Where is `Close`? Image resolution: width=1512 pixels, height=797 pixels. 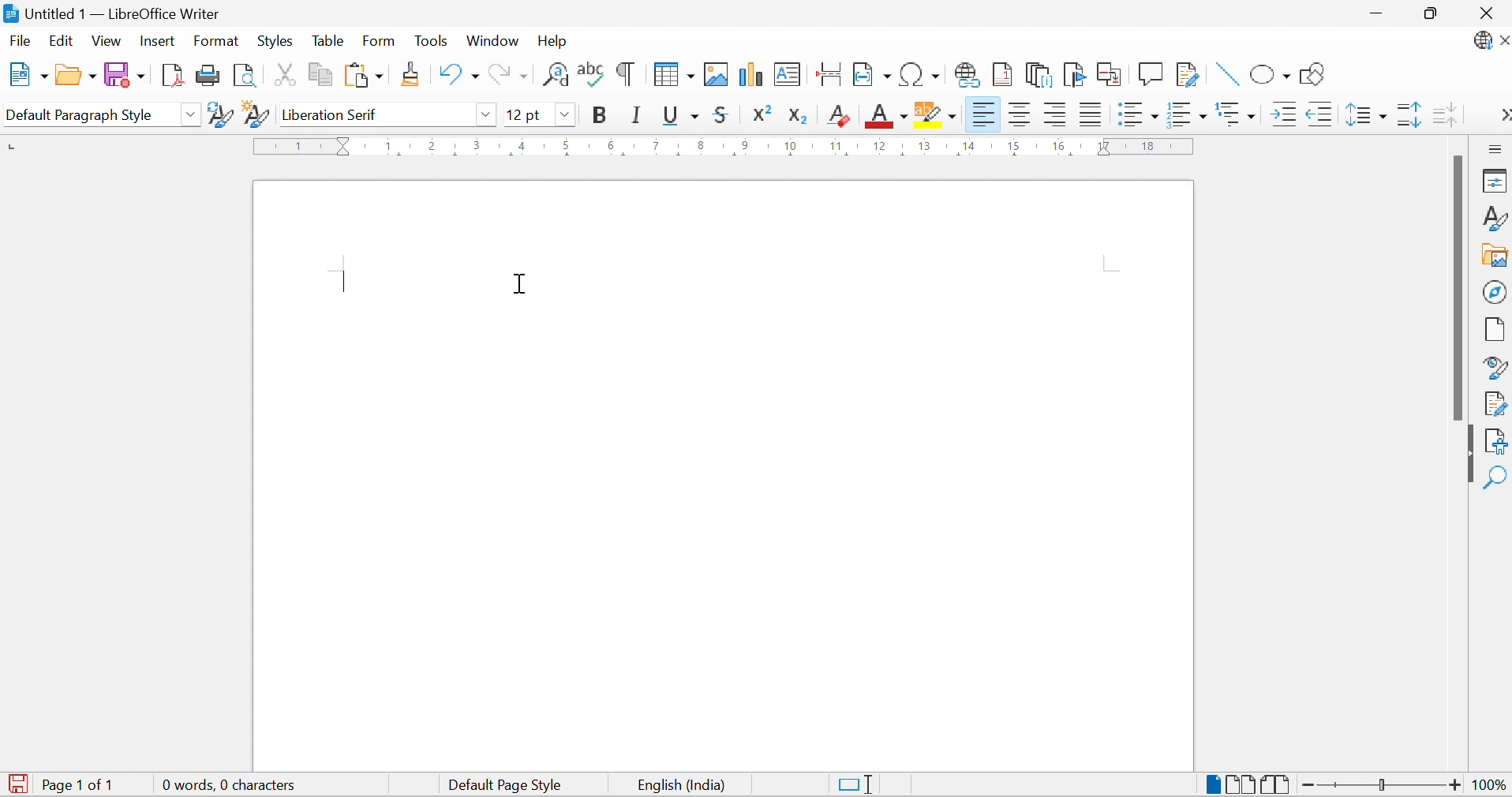 Close is located at coordinates (1491, 13).